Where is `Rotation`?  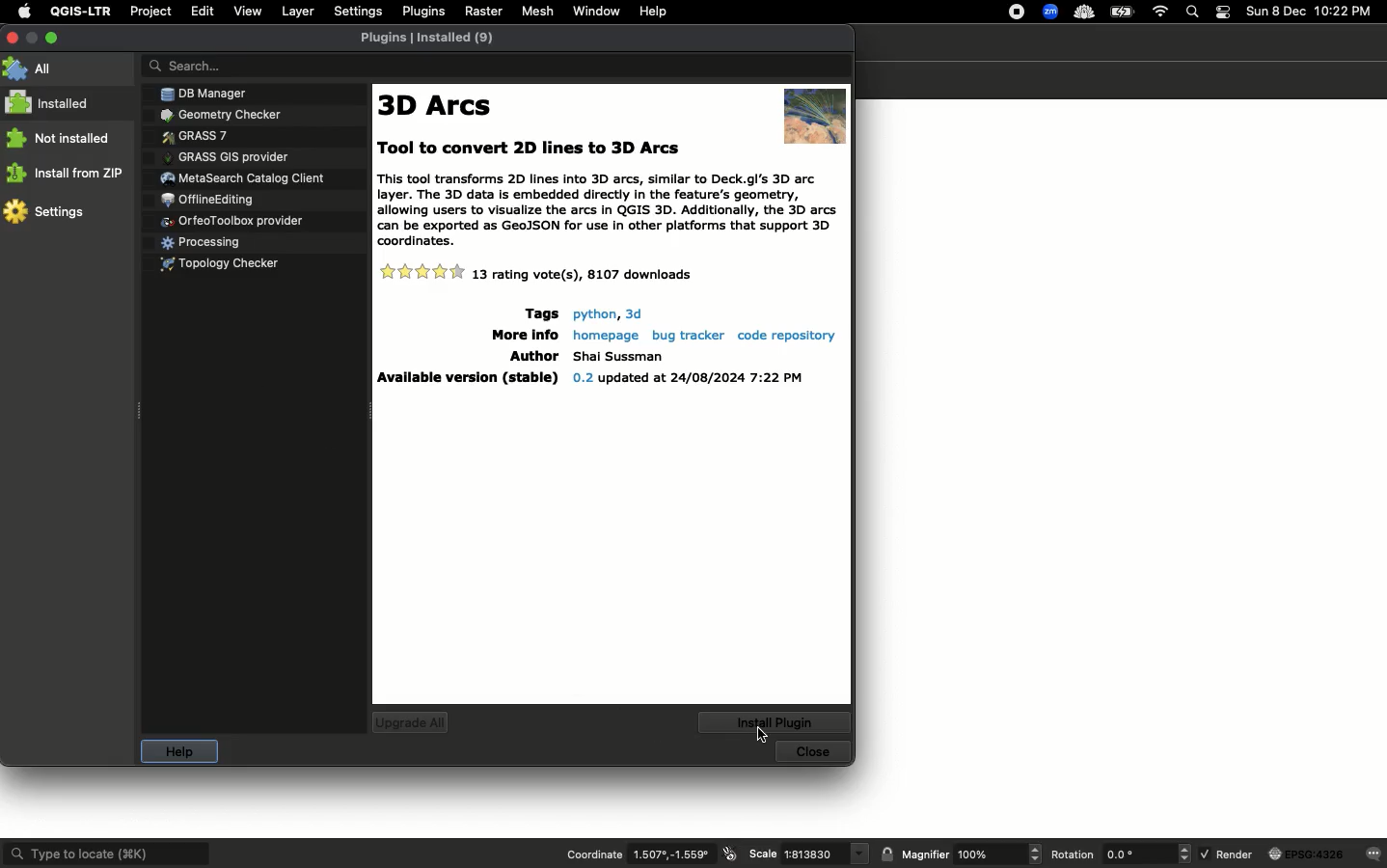 Rotation is located at coordinates (1074, 854).